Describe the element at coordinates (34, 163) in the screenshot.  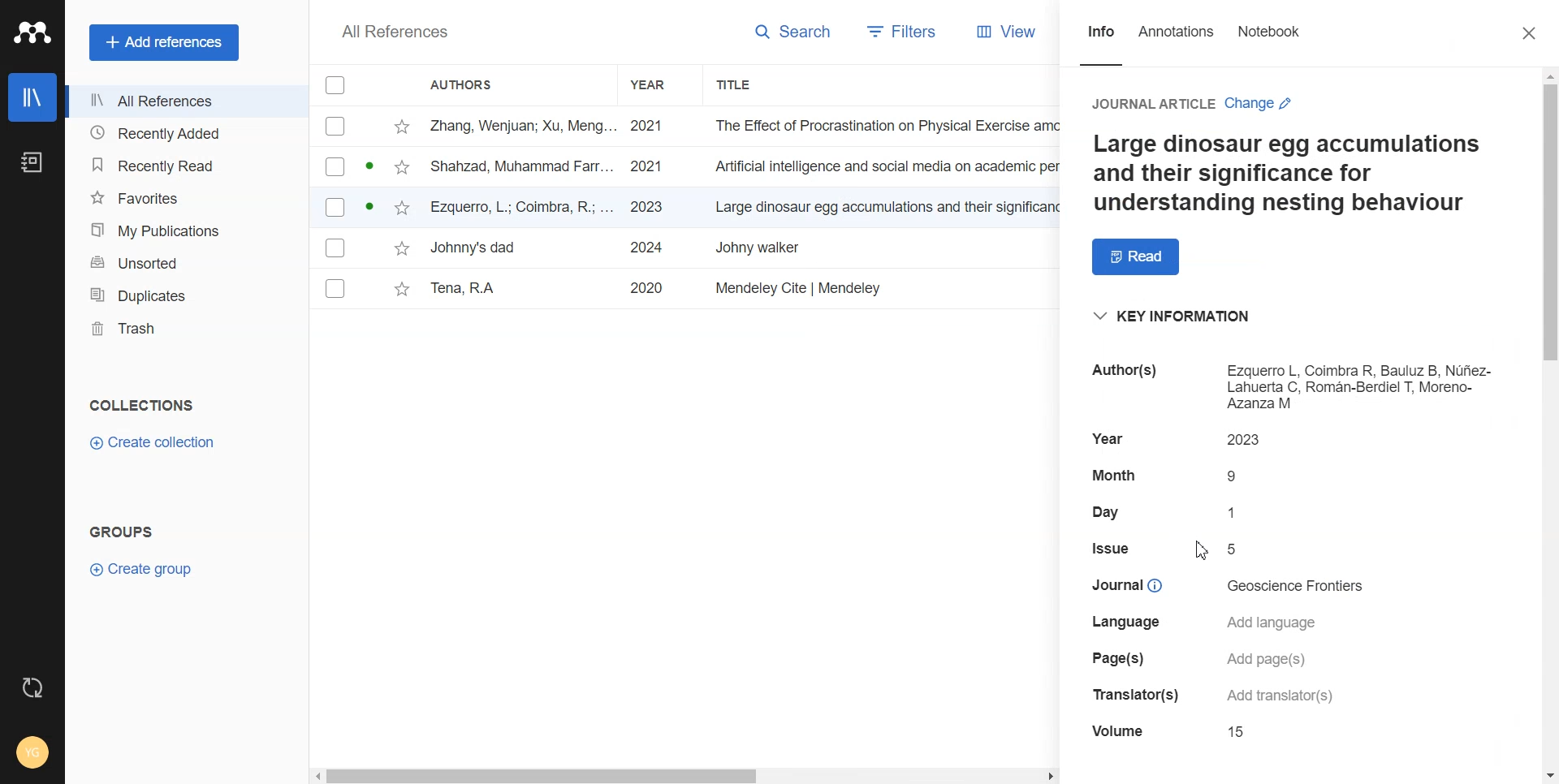
I see `Notebook` at that location.